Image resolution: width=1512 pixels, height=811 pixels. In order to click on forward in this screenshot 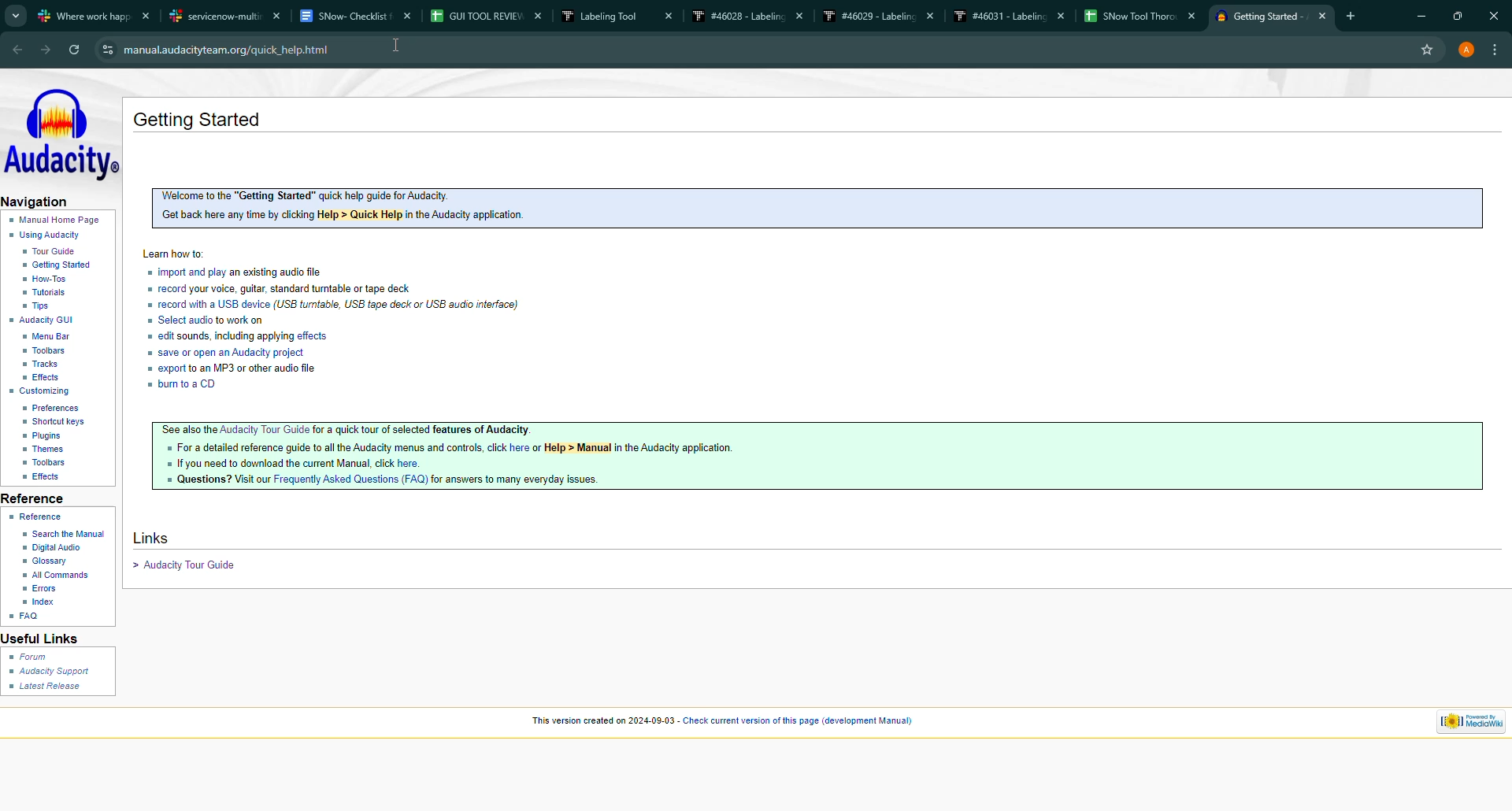, I will do `click(47, 54)`.